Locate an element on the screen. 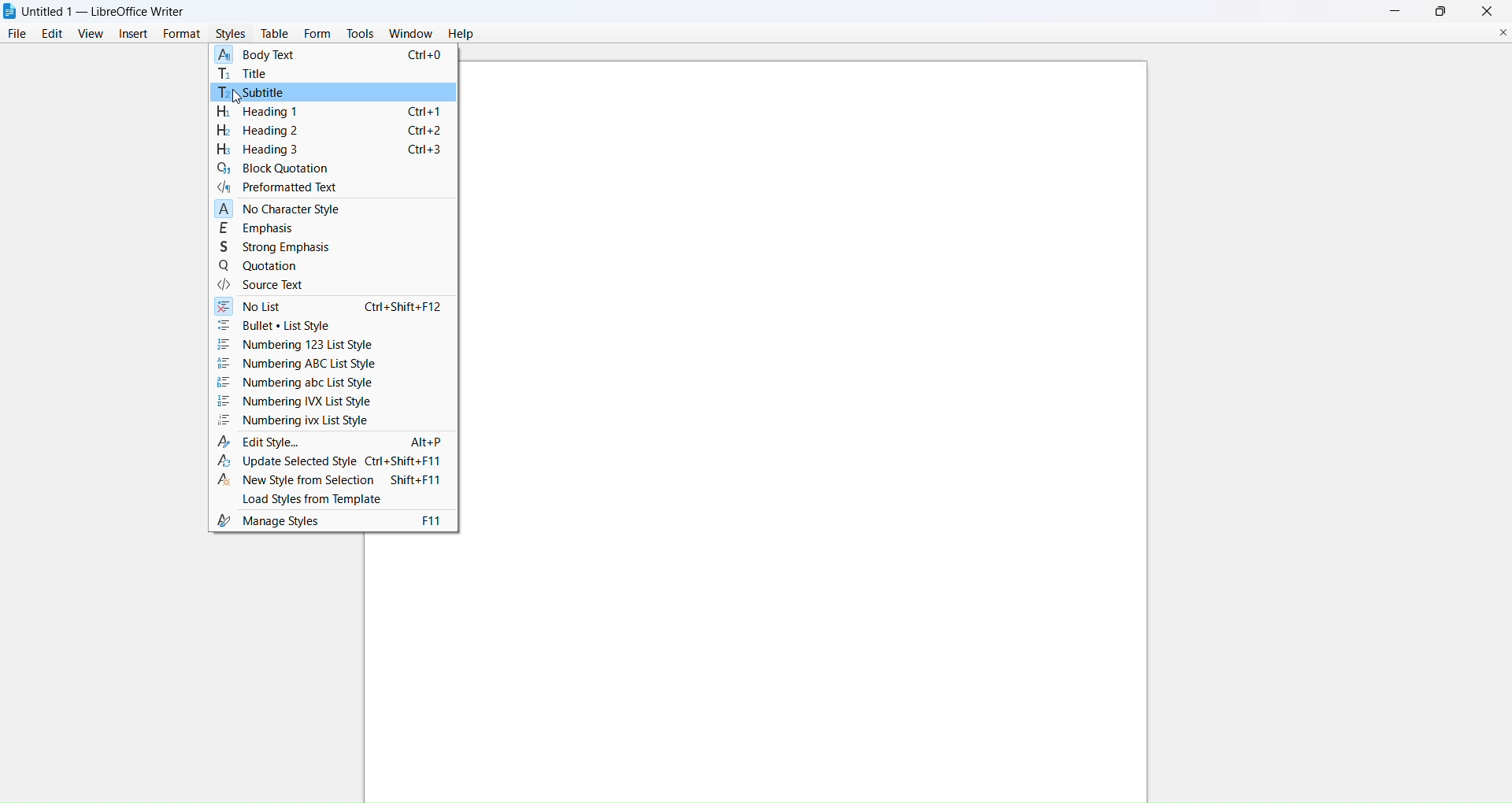  maximize is located at coordinates (1444, 9).